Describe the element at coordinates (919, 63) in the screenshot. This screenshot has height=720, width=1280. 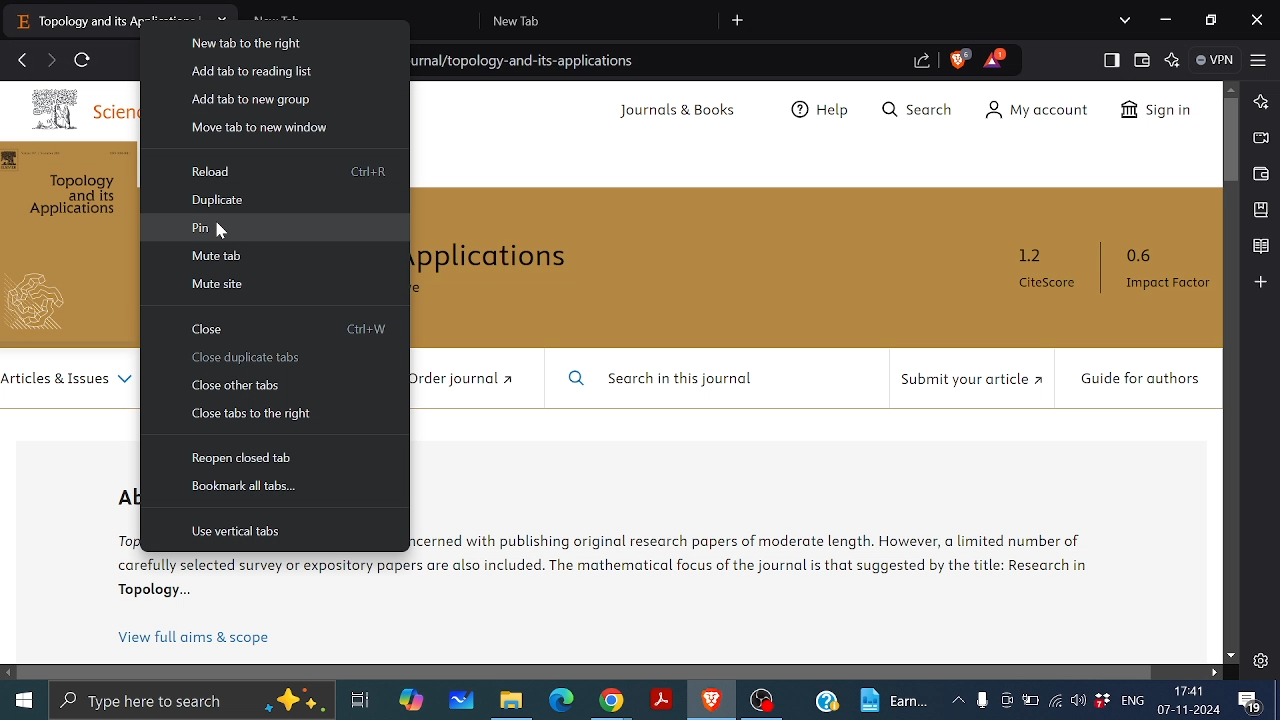
I see `Share this page` at that location.